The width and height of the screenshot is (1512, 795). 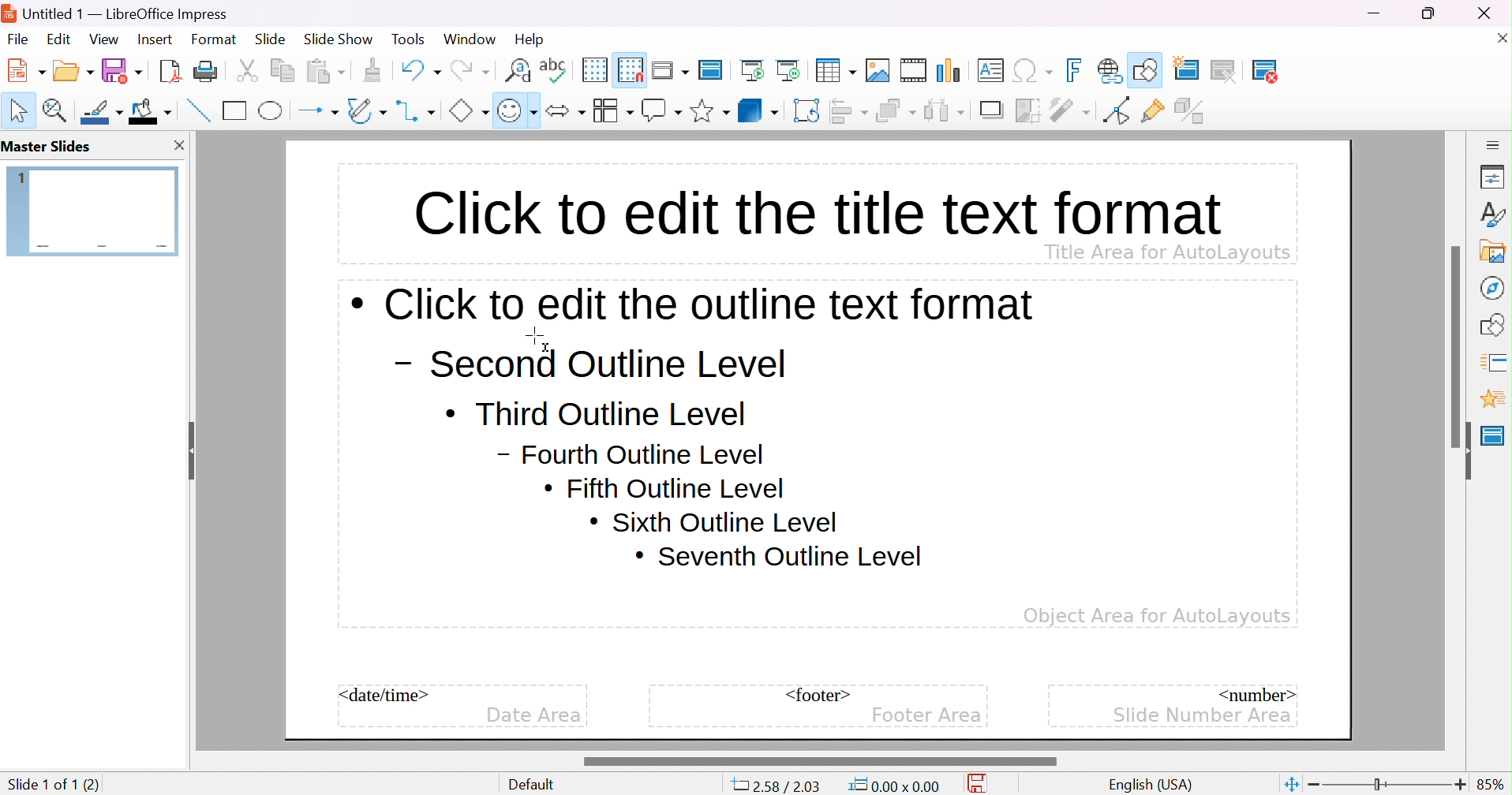 What do you see at coordinates (1463, 451) in the screenshot?
I see `hide` at bounding box center [1463, 451].